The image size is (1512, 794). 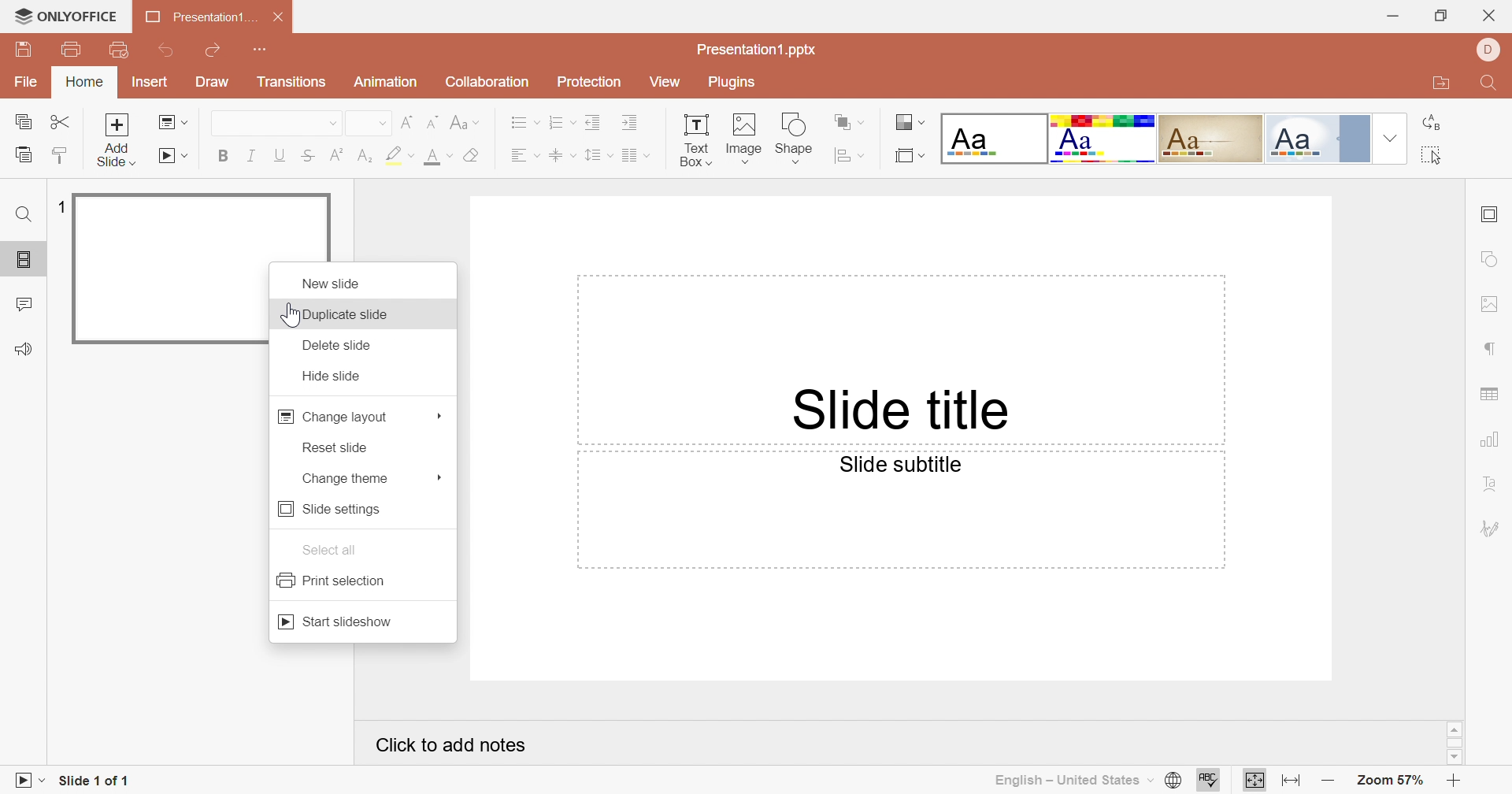 I want to click on Classic, so click(x=1212, y=139).